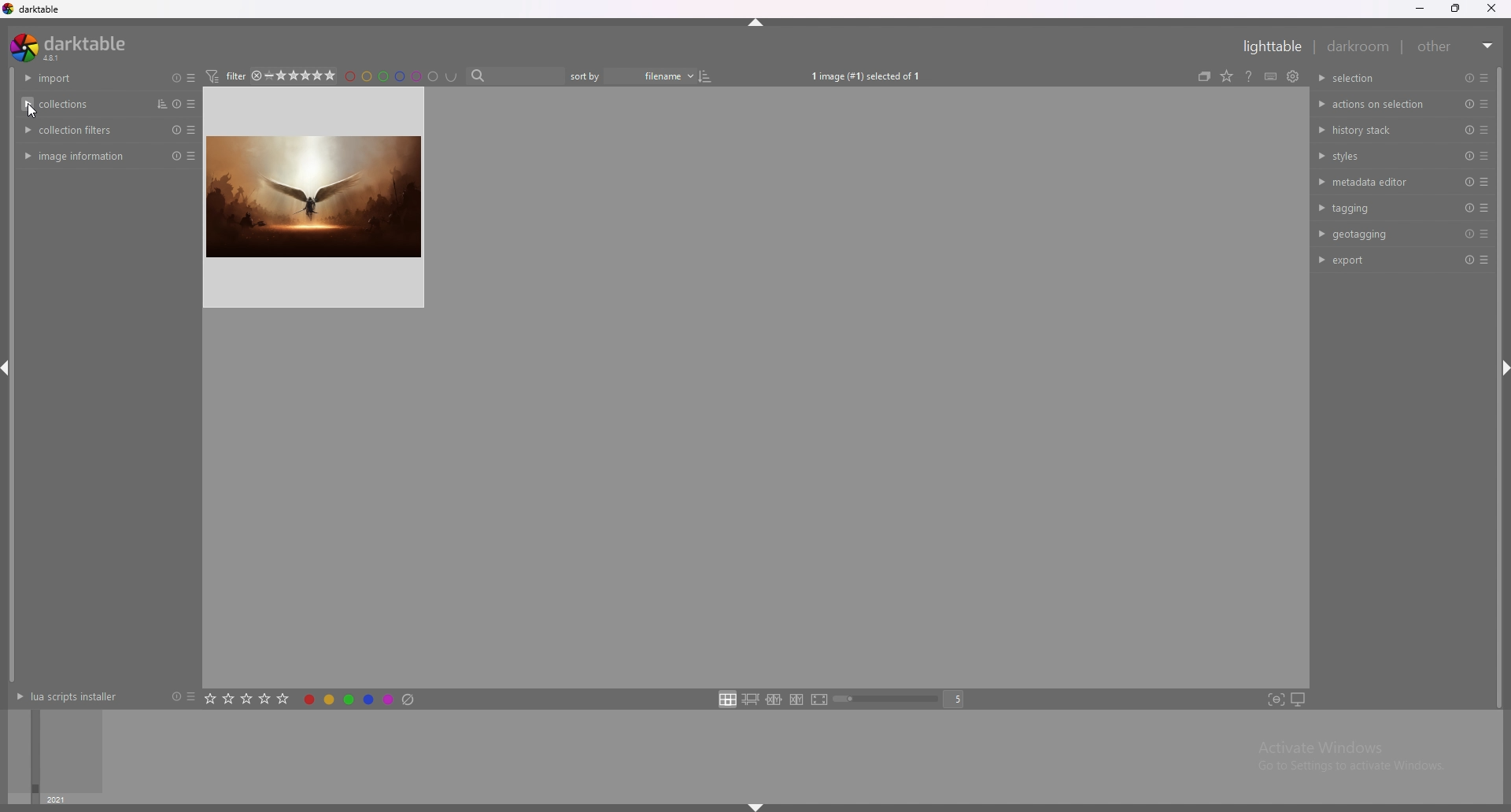 The image size is (1511, 812). What do you see at coordinates (519, 76) in the screenshot?
I see `search bar` at bounding box center [519, 76].